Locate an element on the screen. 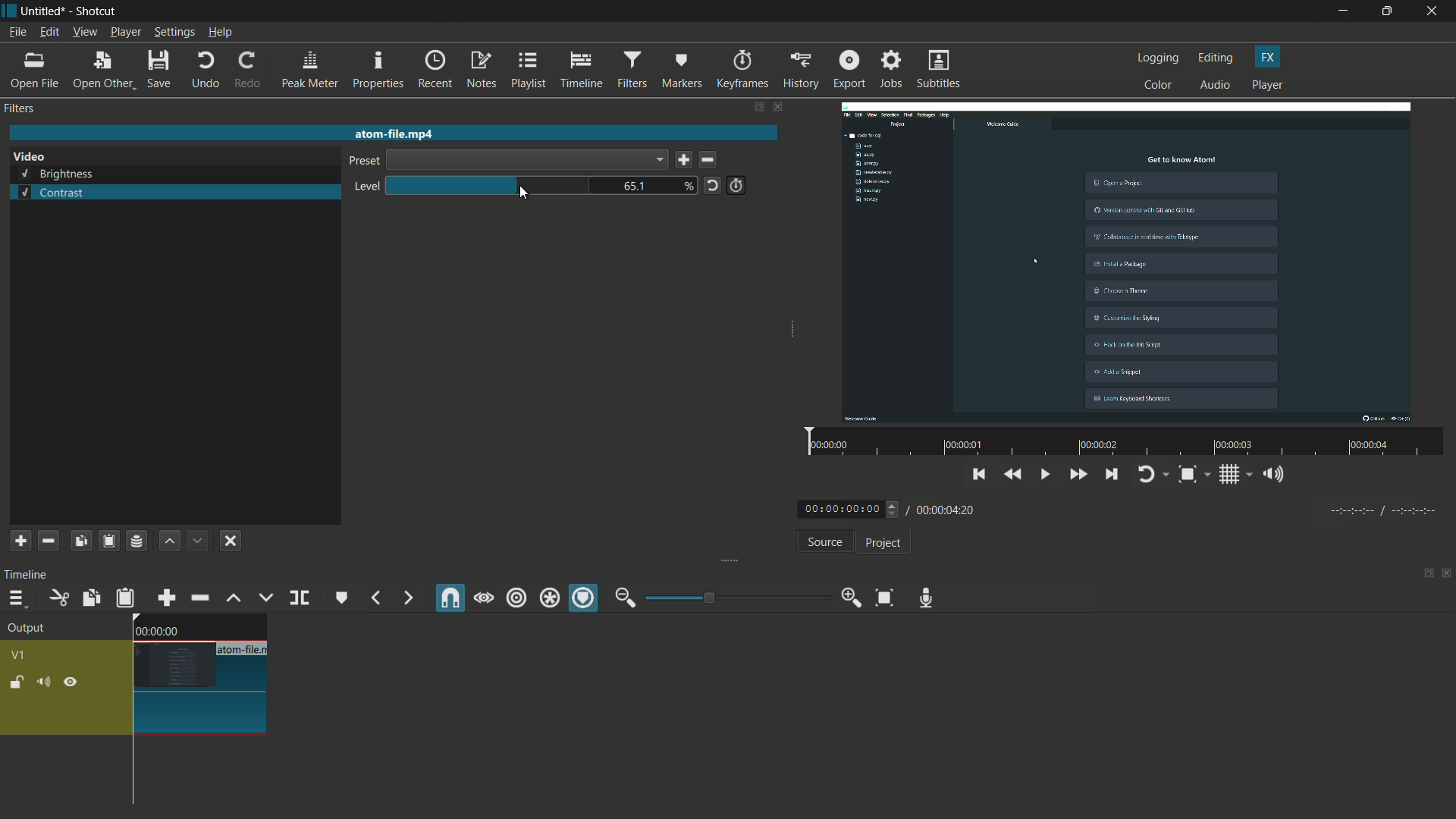  atom-file.mp4 is located at coordinates (393, 133).